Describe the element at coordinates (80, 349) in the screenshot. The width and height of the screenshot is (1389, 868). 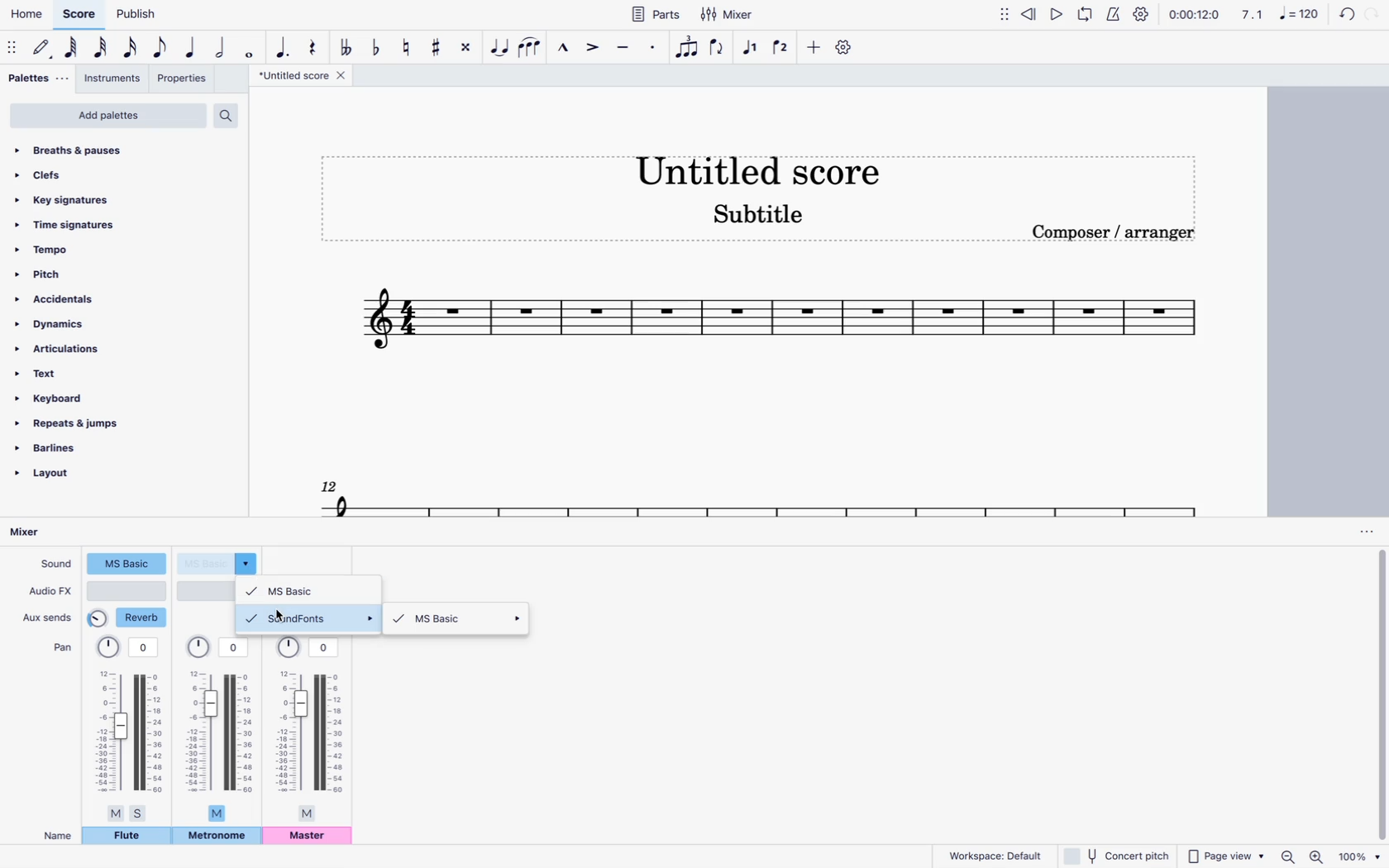
I see `articulations` at that location.